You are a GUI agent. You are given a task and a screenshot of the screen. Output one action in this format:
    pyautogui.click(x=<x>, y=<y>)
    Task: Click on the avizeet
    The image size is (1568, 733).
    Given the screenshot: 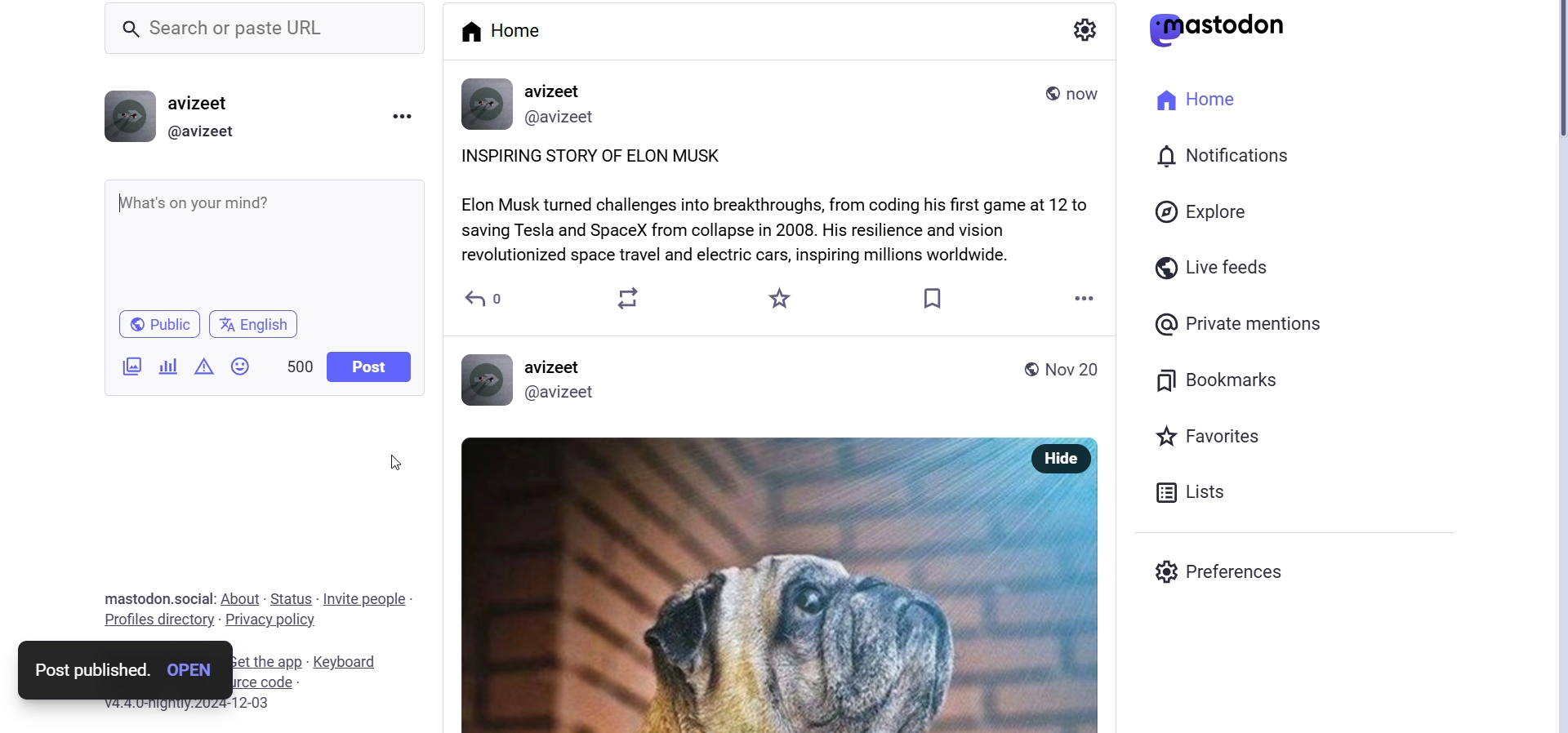 What is the action you would take?
    pyautogui.click(x=558, y=90)
    